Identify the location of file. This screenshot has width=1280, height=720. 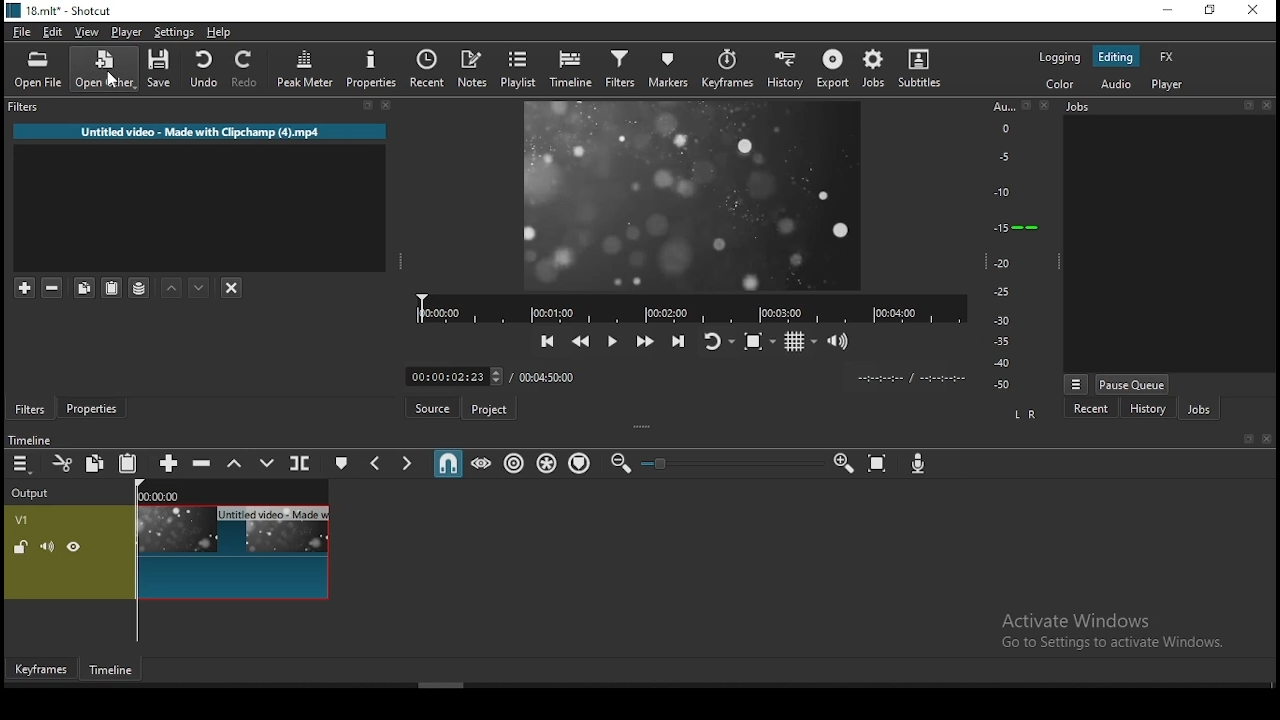
(23, 29).